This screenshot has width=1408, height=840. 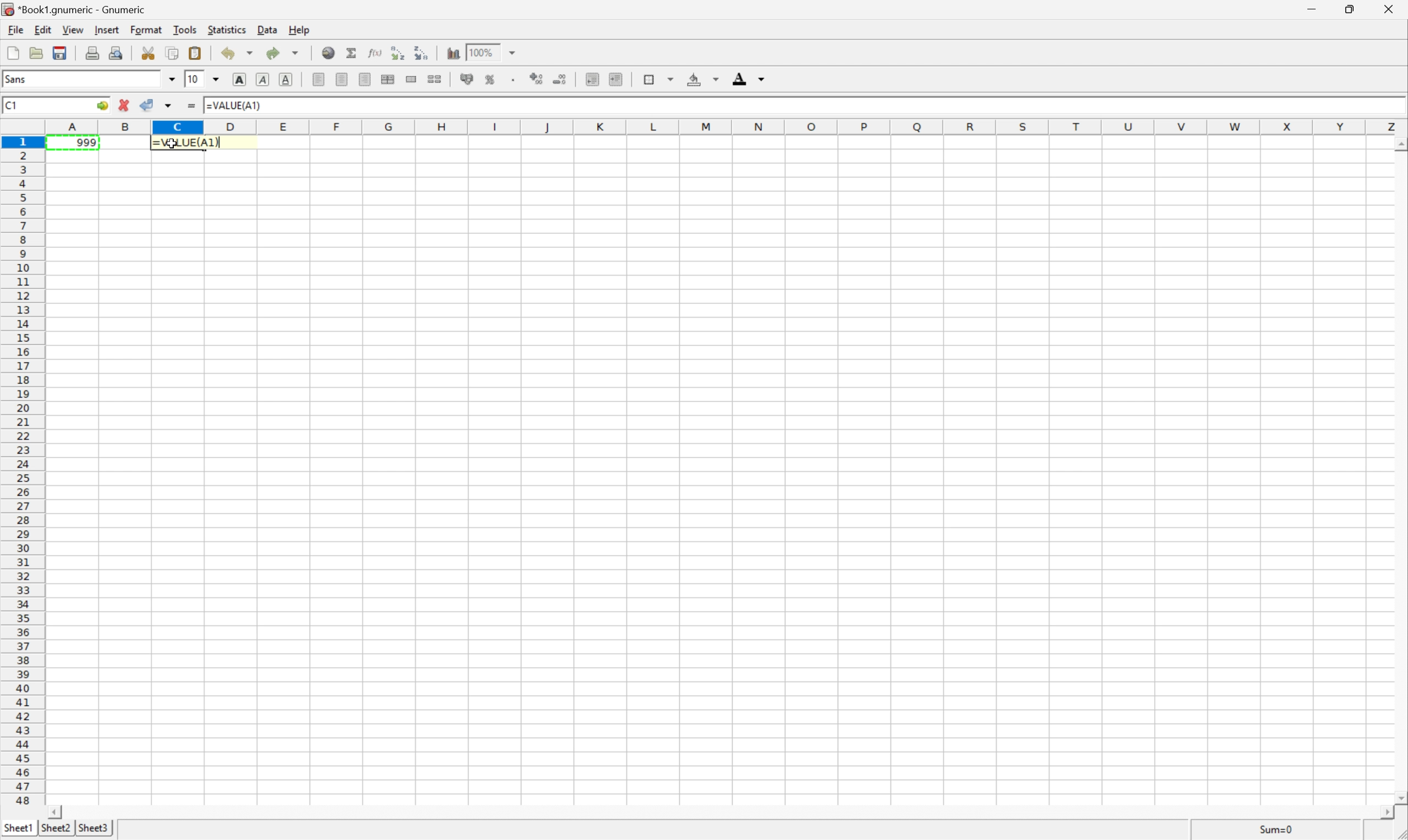 I want to click on Font size 10, so click(x=205, y=78).